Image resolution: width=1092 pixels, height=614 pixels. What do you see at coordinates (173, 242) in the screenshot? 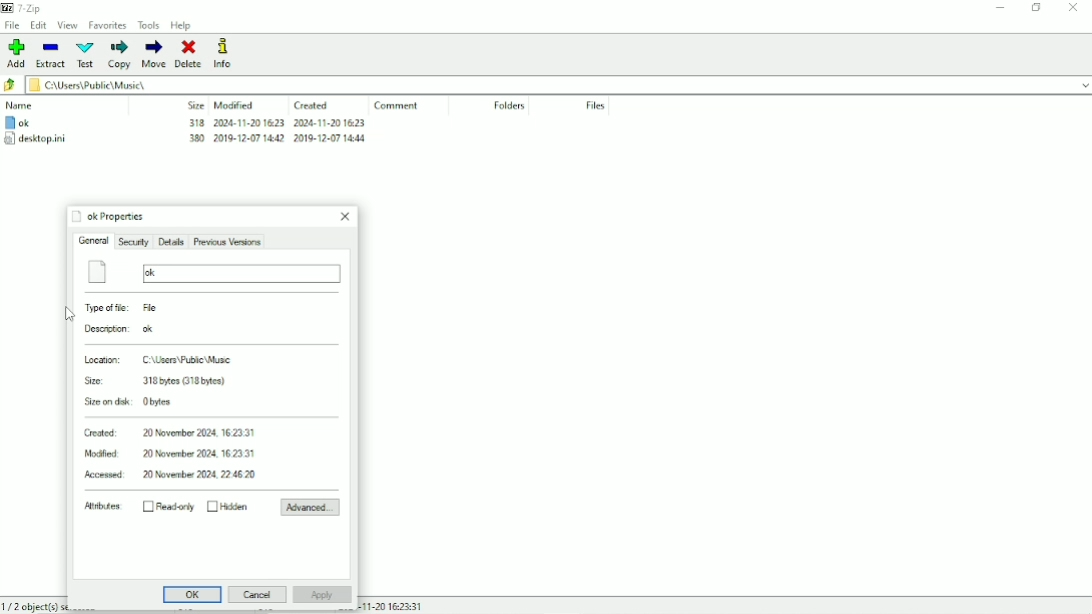
I see `Details` at bounding box center [173, 242].